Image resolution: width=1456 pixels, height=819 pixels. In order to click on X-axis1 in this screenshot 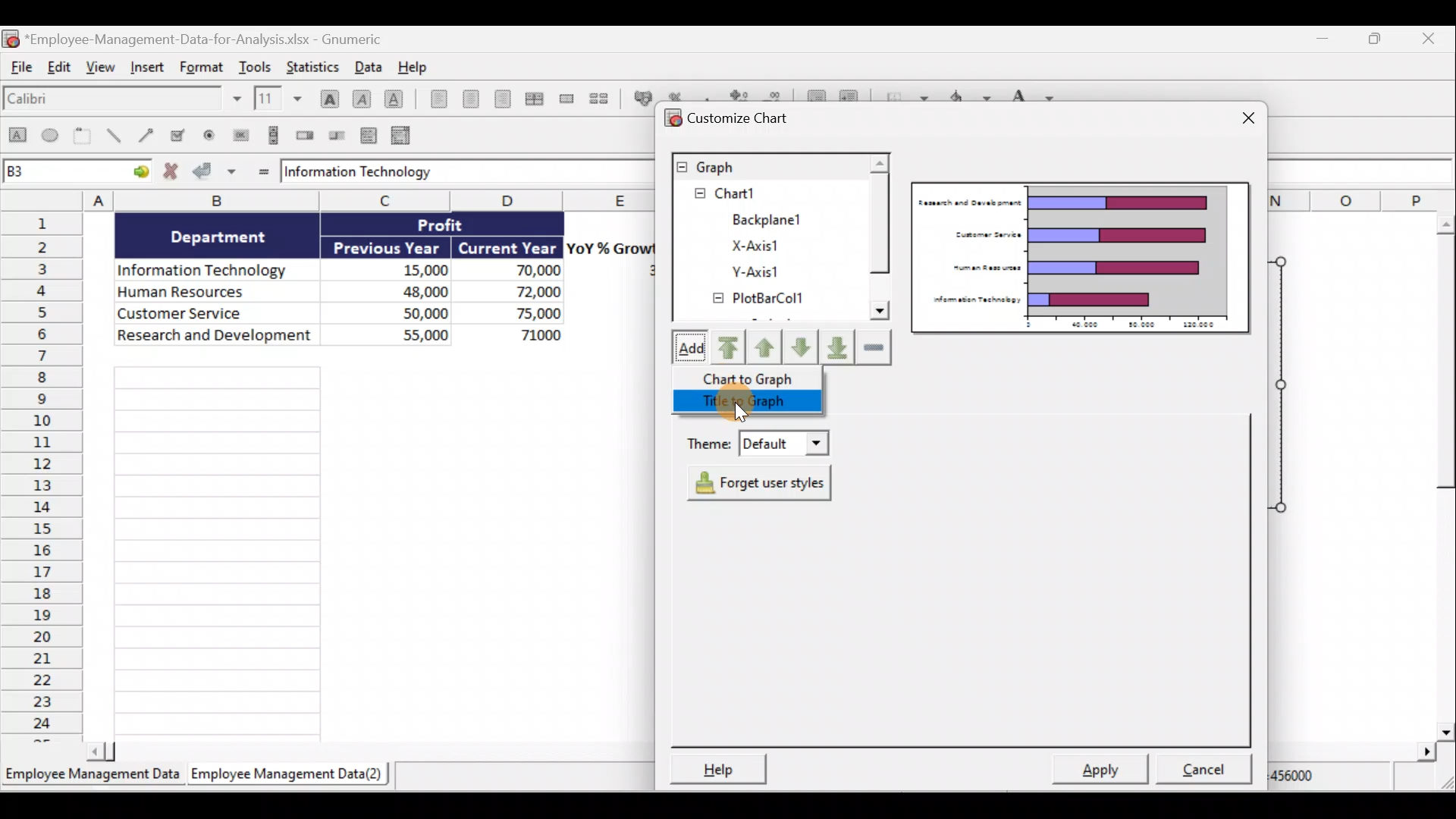, I will do `click(759, 245)`.